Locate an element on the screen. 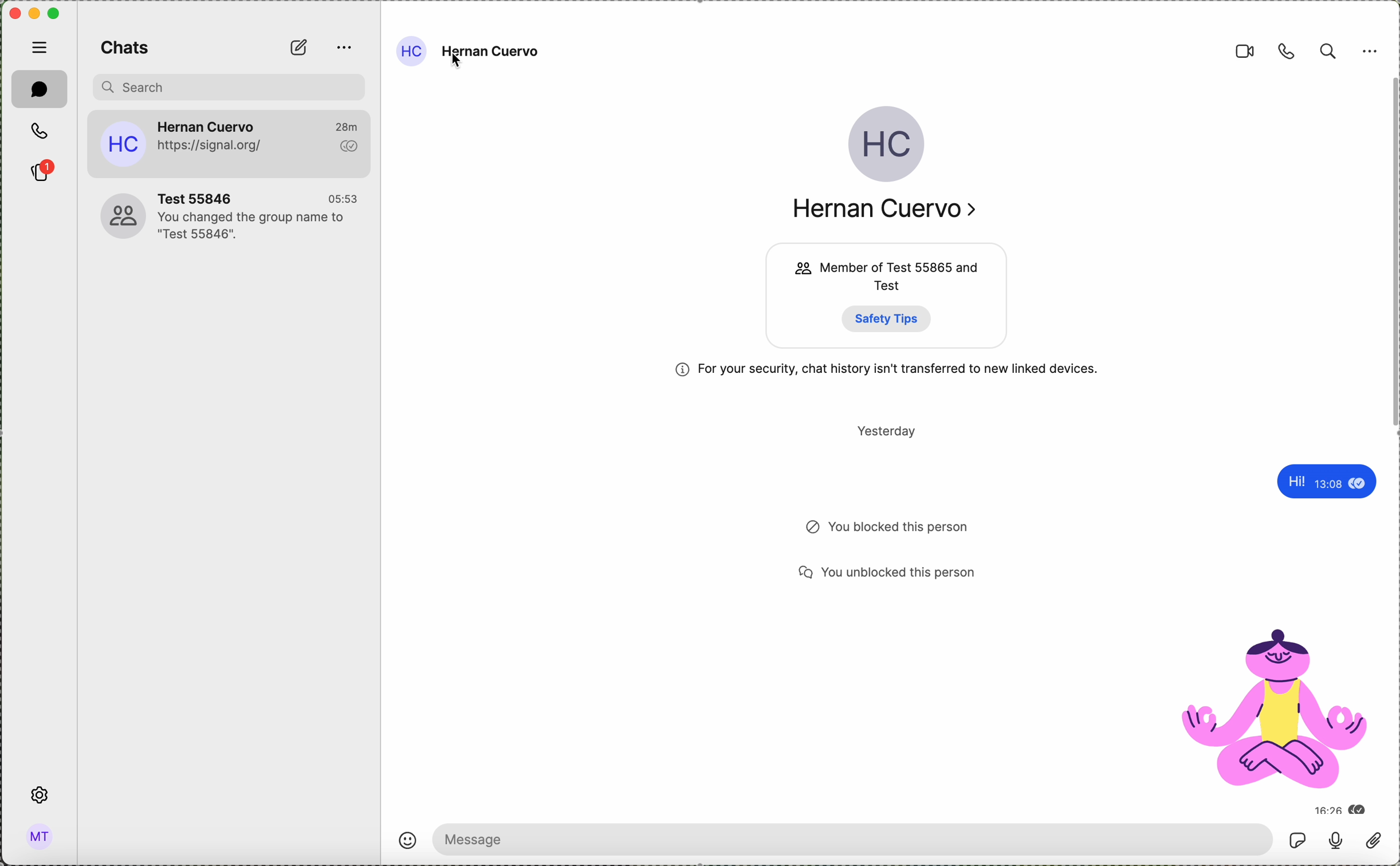 This screenshot has height=866, width=1400. 05:53 is located at coordinates (343, 196).